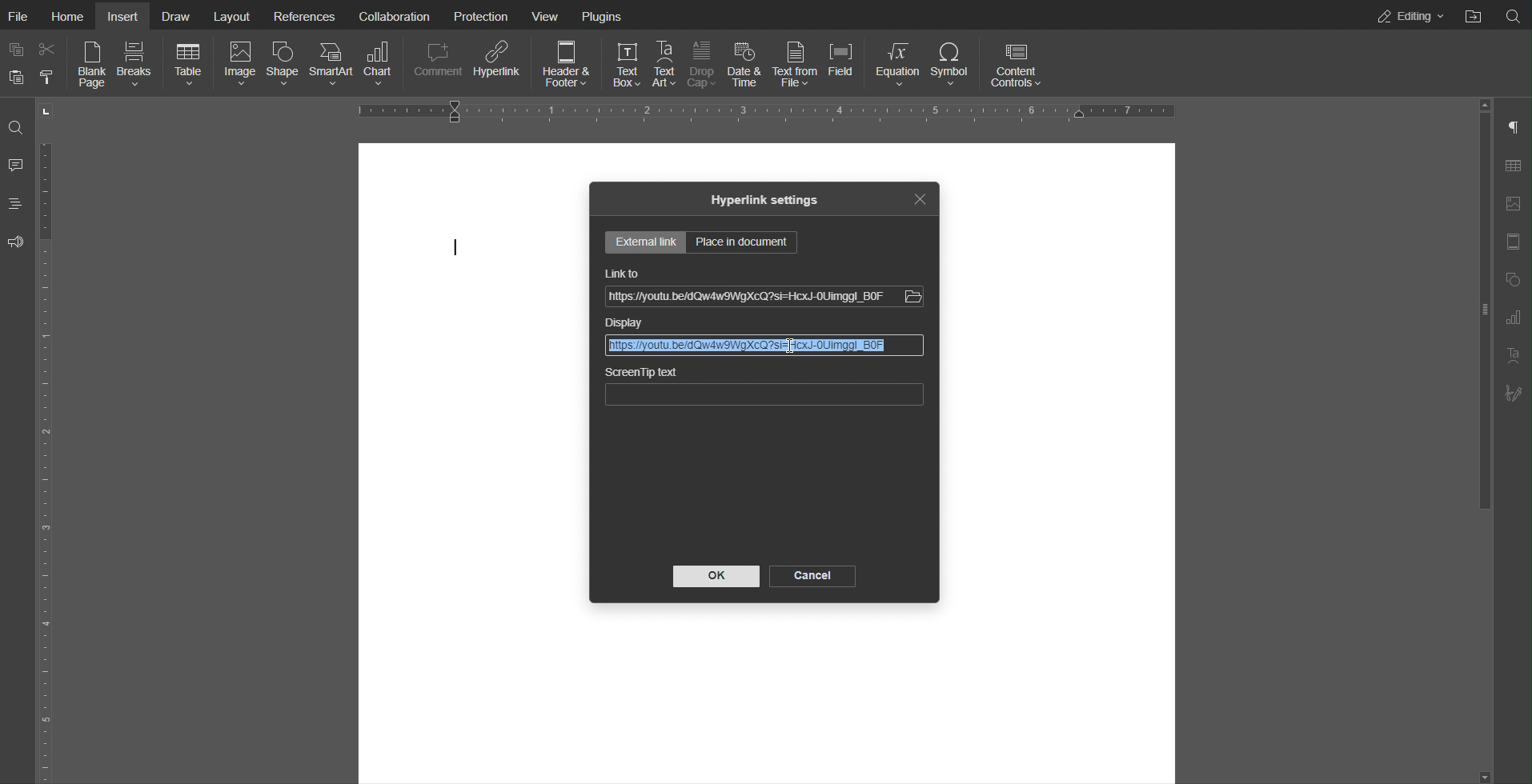 This screenshot has height=784, width=1532. Describe the element at coordinates (621, 272) in the screenshot. I see `Link to` at that location.